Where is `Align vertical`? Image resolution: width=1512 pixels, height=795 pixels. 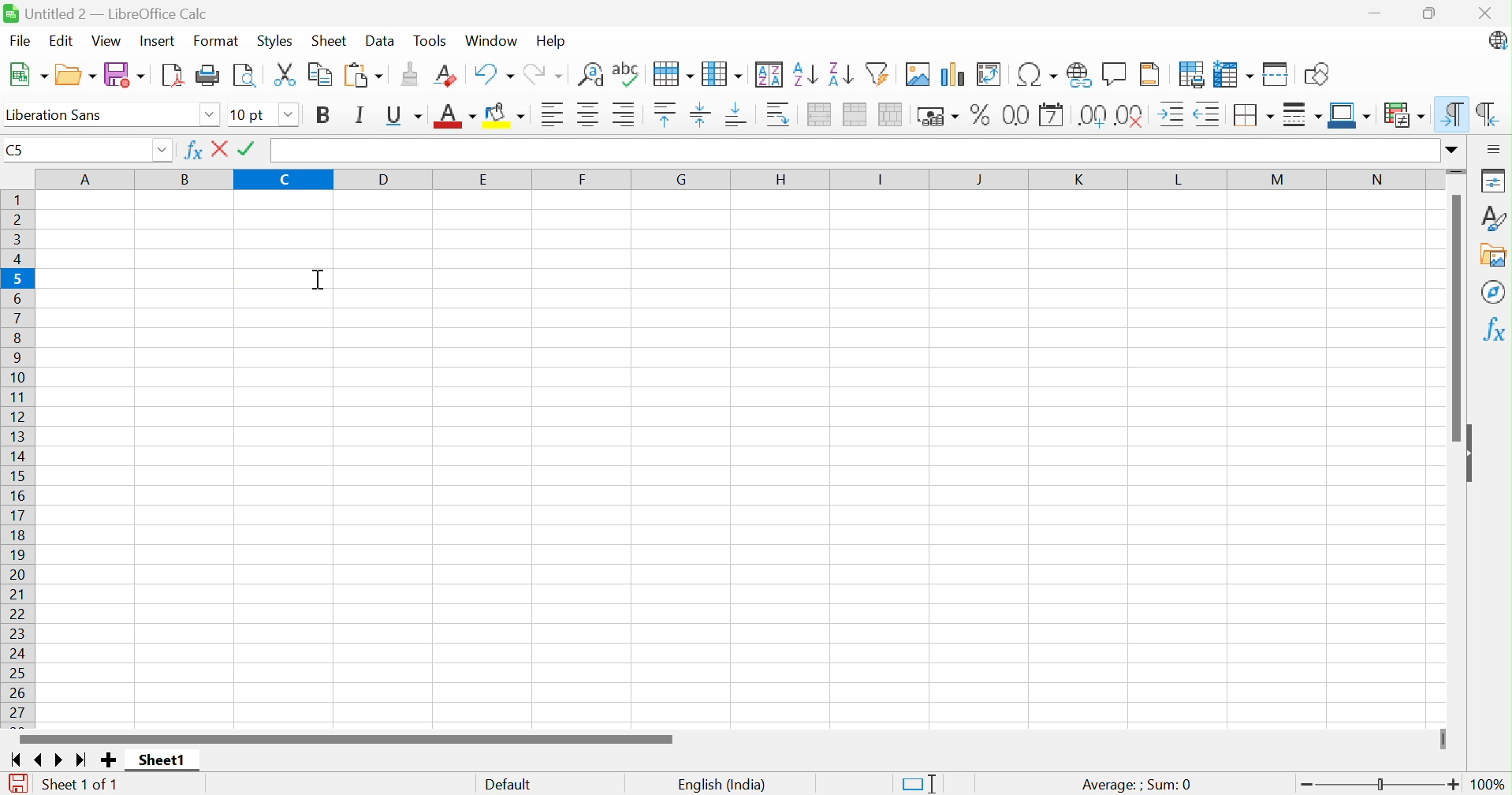 Align vertical is located at coordinates (699, 116).